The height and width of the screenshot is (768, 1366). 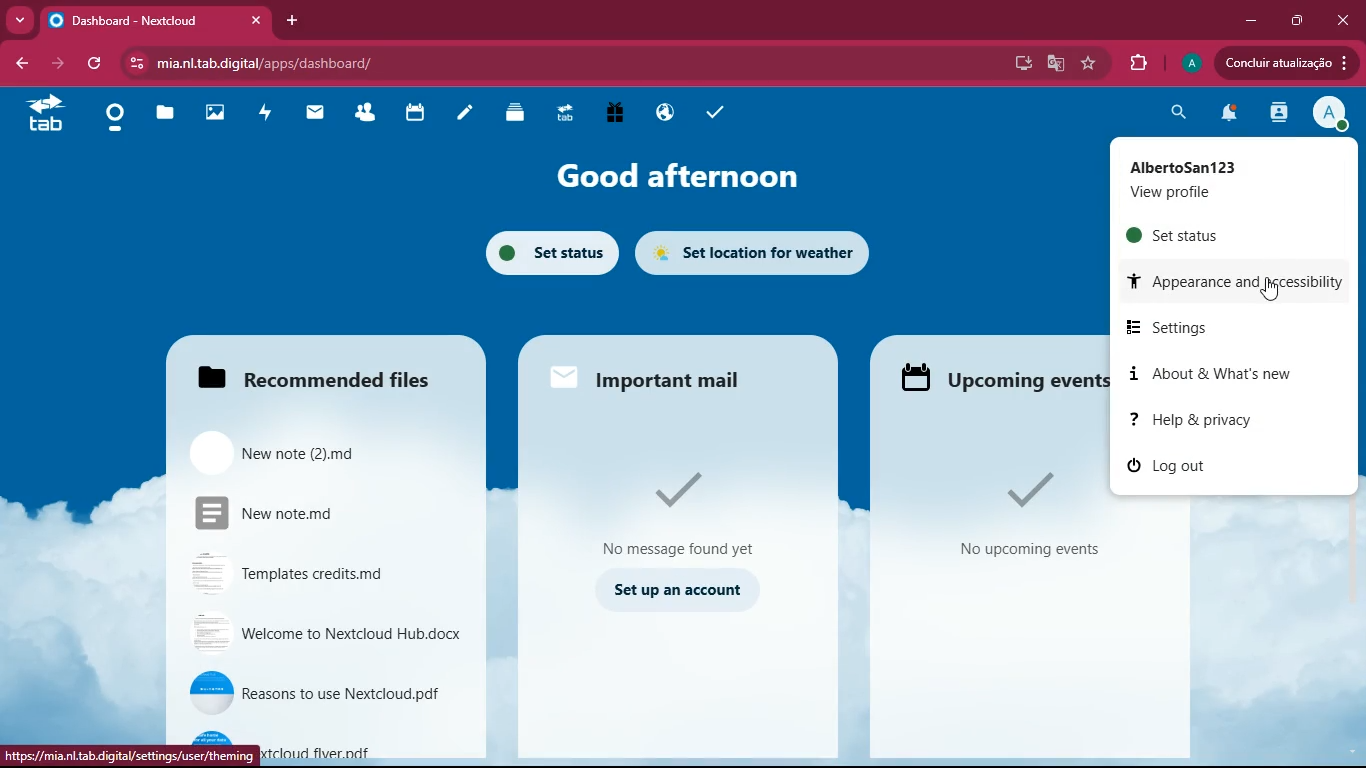 What do you see at coordinates (1233, 115) in the screenshot?
I see `notifications` at bounding box center [1233, 115].